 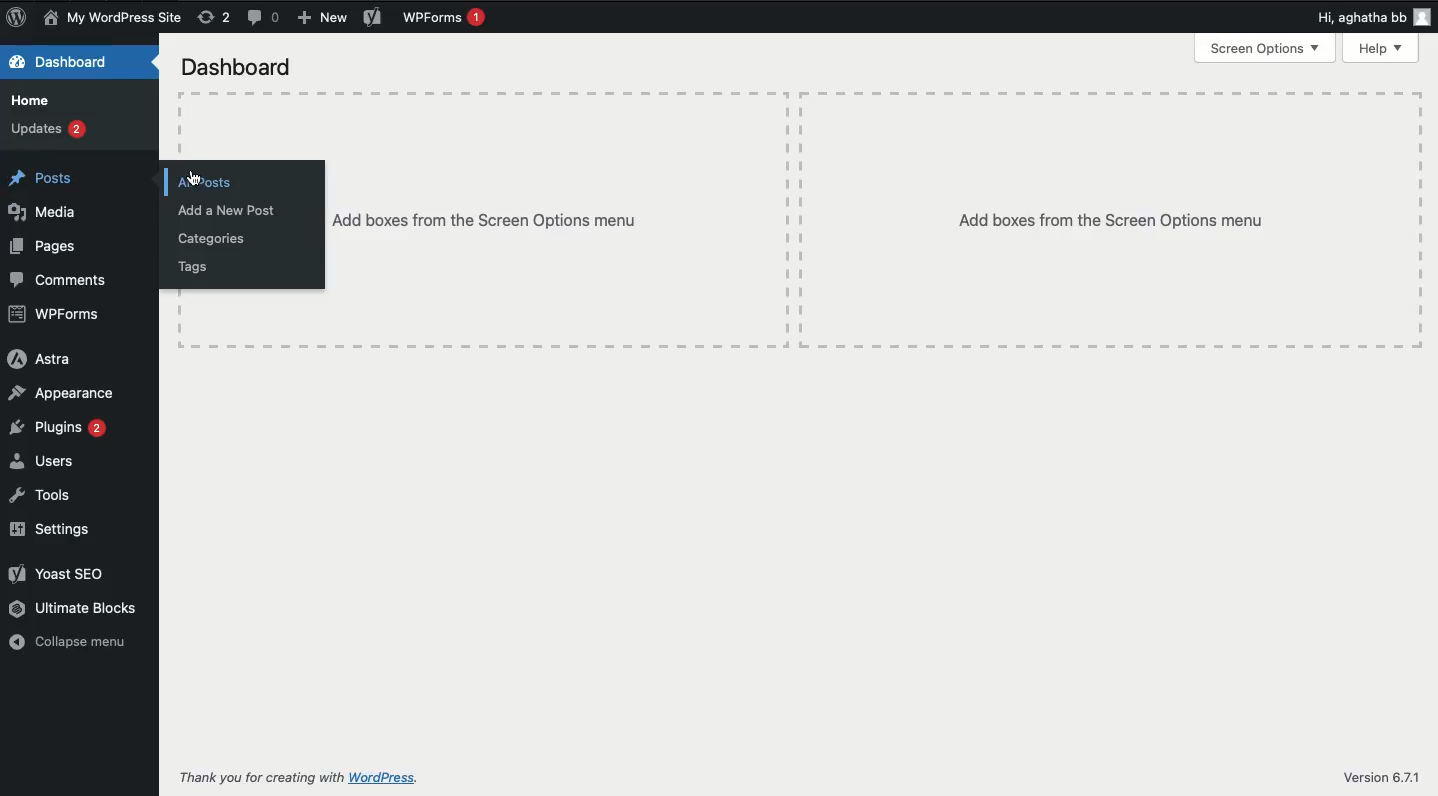 What do you see at coordinates (446, 17) in the screenshot?
I see `WPForms` at bounding box center [446, 17].